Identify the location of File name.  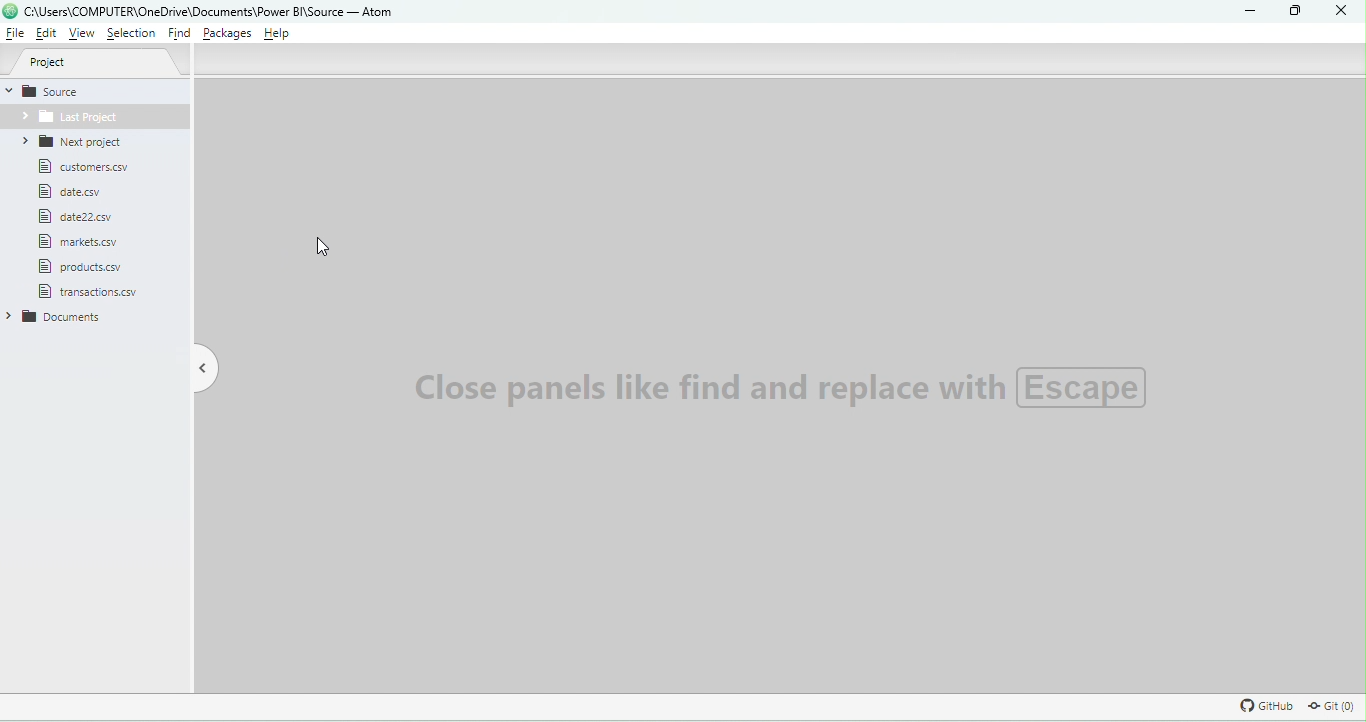
(238, 11).